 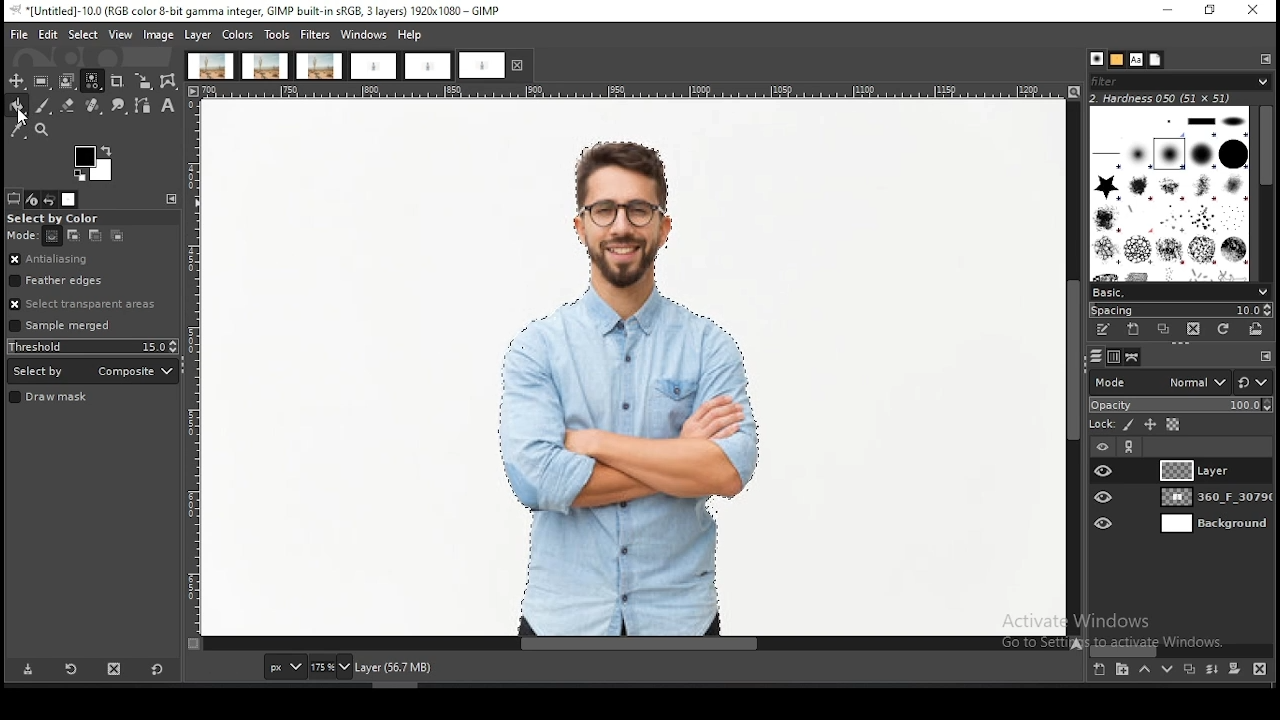 What do you see at coordinates (1118, 60) in the screenshot?
I see `patterns` at bounding box center [1118, 60].